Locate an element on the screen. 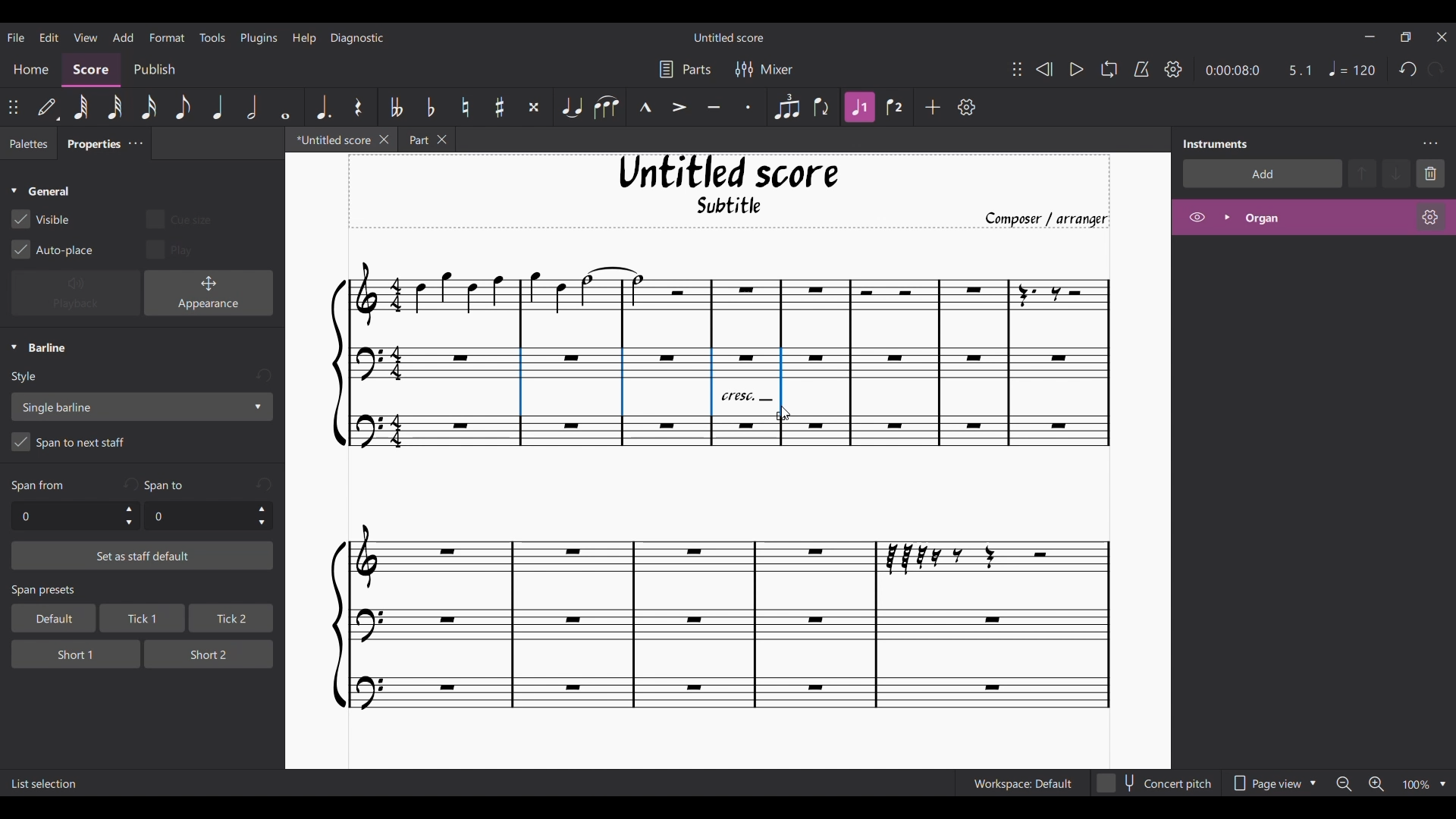 The image size is (1456, 819). Marcato is located at coordinates (645, 108).